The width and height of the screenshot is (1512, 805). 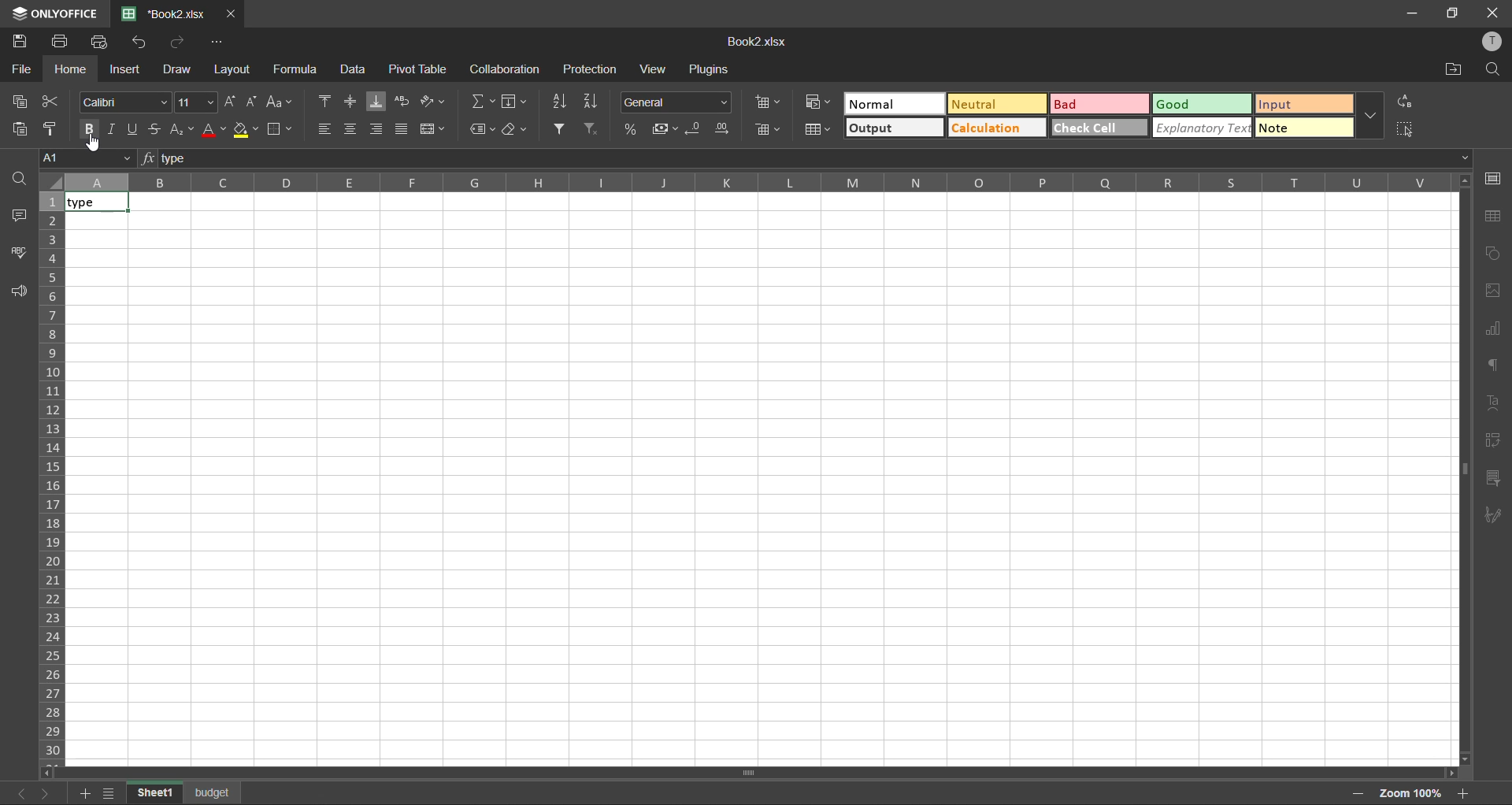 What do you see at coordinates (1100, 105) in the screenshot?
I see `bad` at bounding box center [1100, 105].